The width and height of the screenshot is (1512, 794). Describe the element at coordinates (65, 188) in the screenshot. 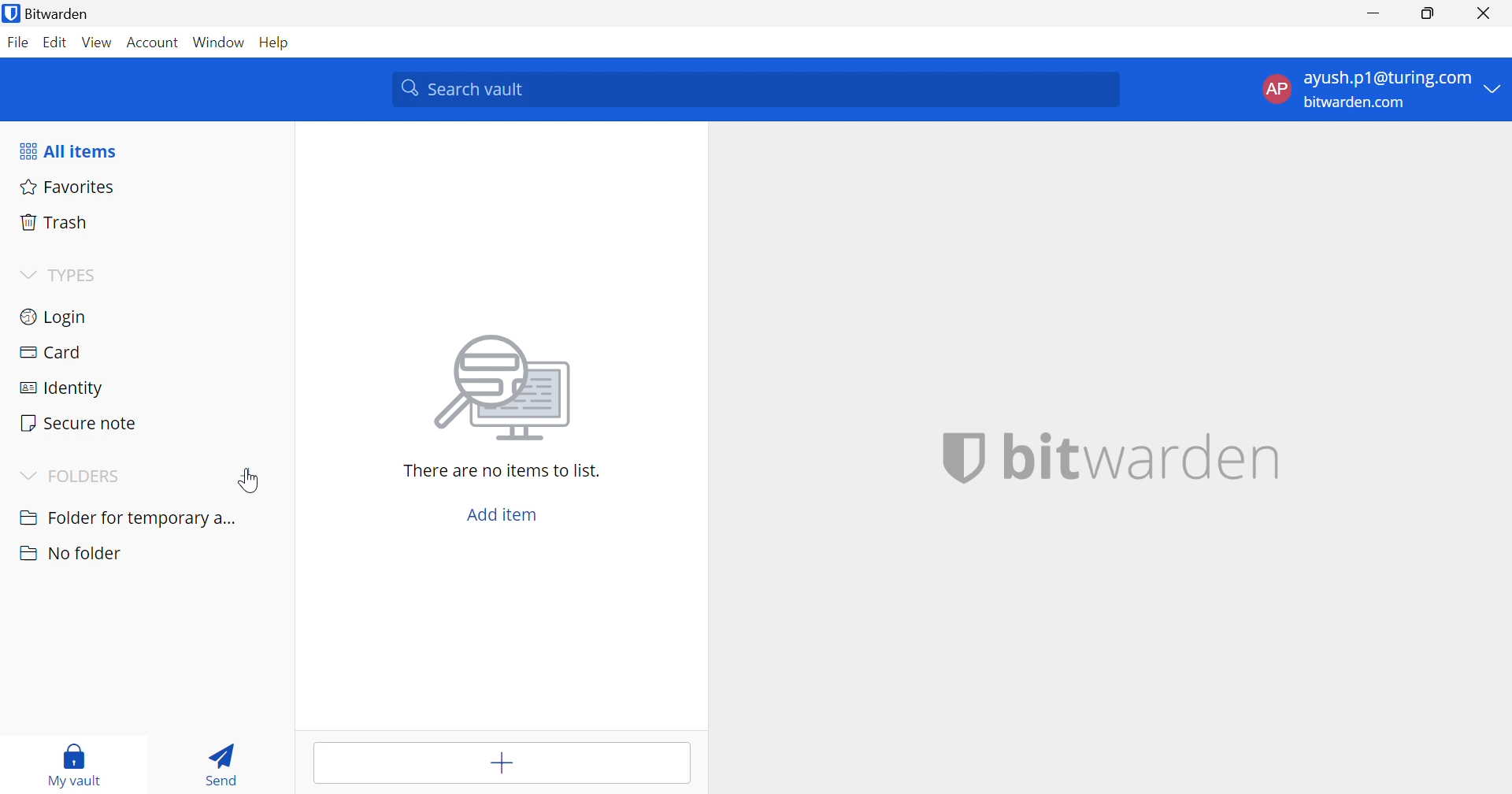

I see `Fovorites` at that location.